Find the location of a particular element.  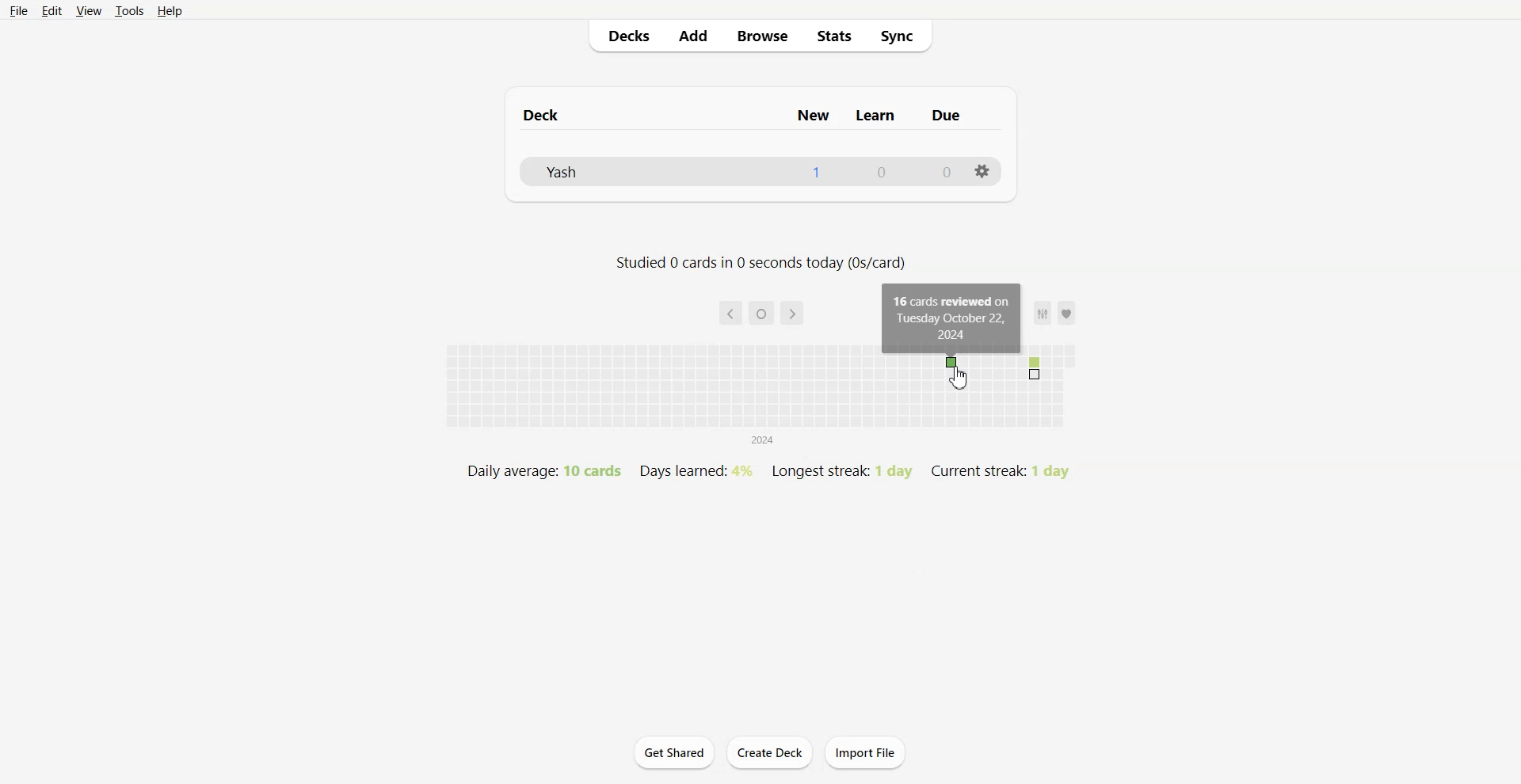

number of cards reviewed is located at coordinates (1034, 368).